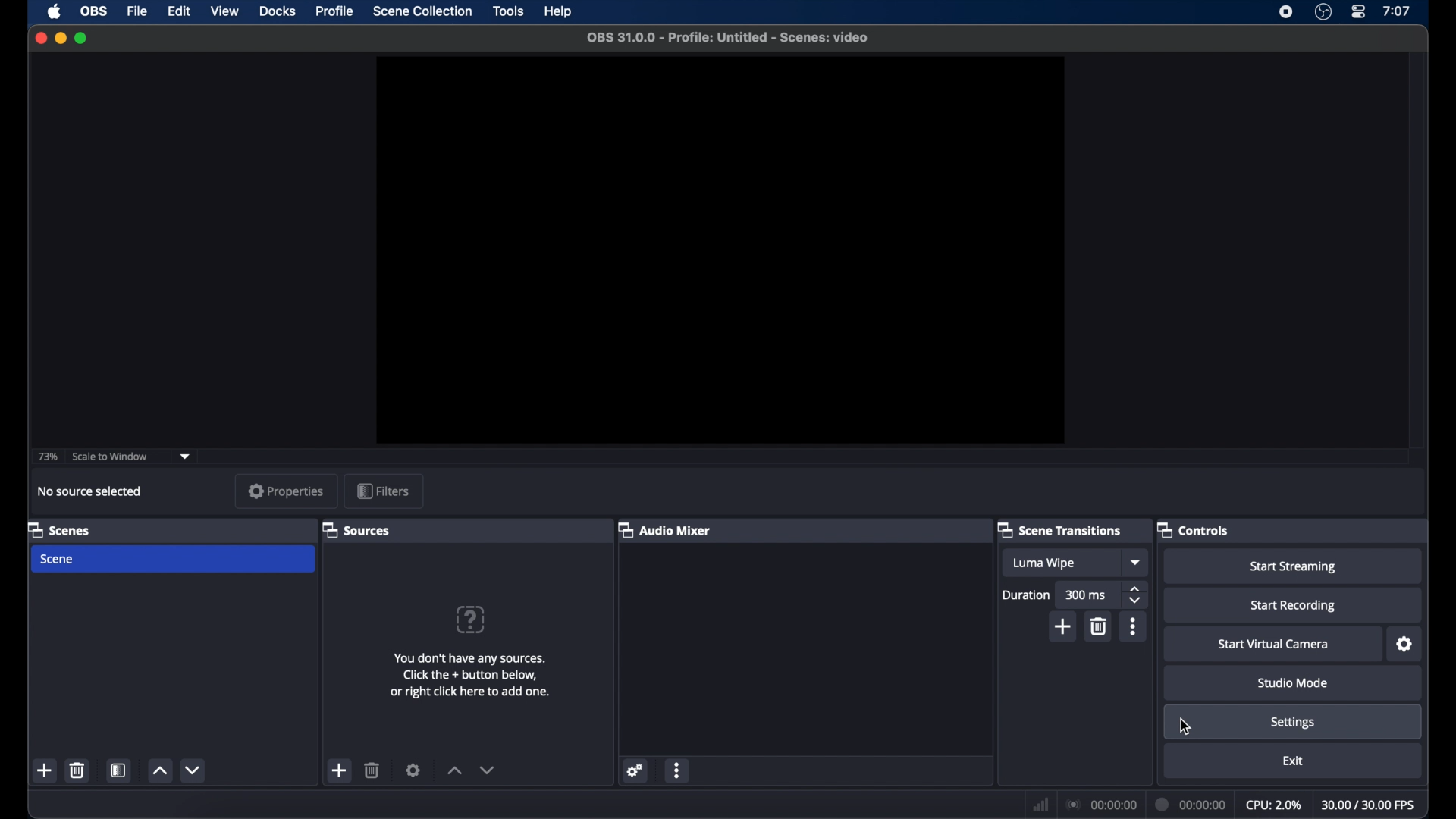 The height and width of the screenshot is (819, 1456). Describe the element at coordinates (1274, 805) in the screenshot. I see `cpu` at that location.